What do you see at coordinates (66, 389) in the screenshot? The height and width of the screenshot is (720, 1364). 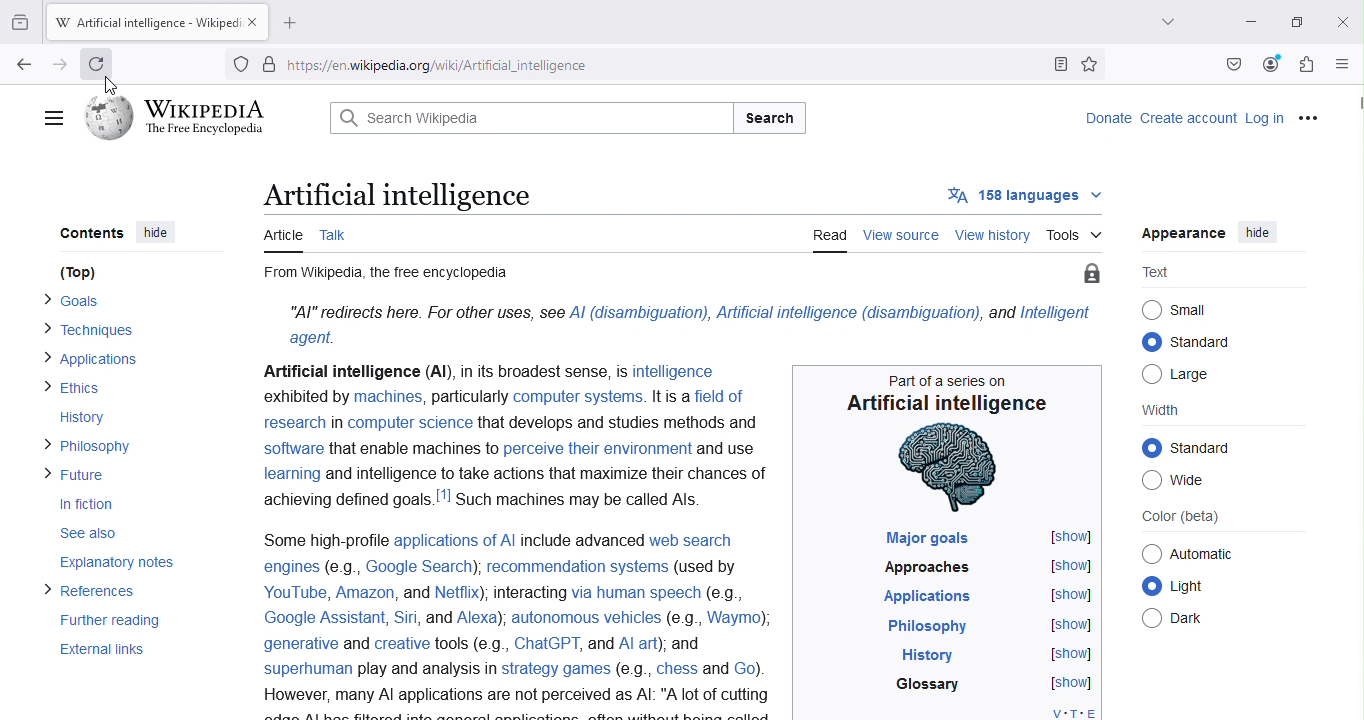 I see `> Ethics` at bounding box center [66, 389].